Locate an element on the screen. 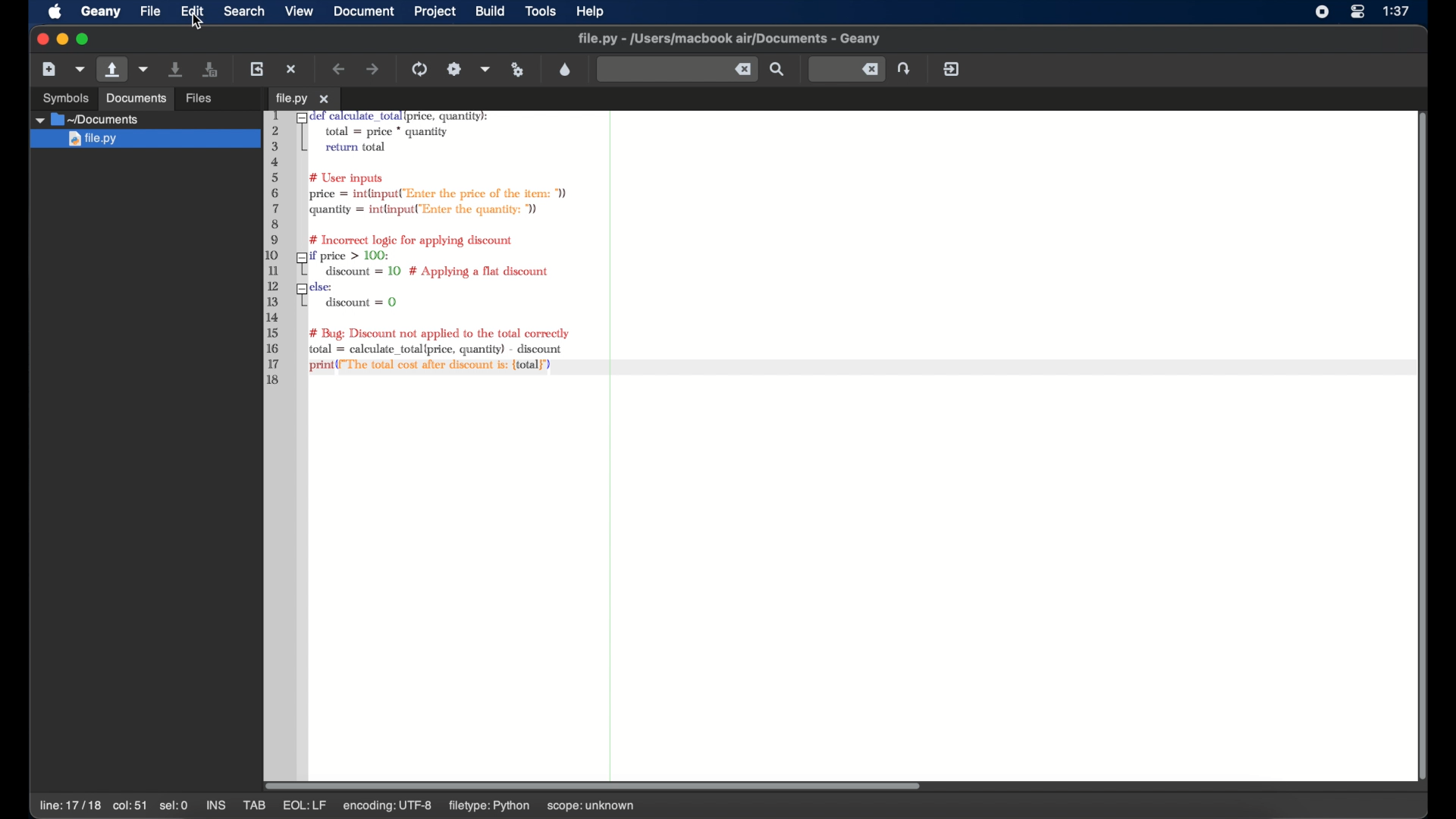  eql: lf is located at coordinates (305, 806).